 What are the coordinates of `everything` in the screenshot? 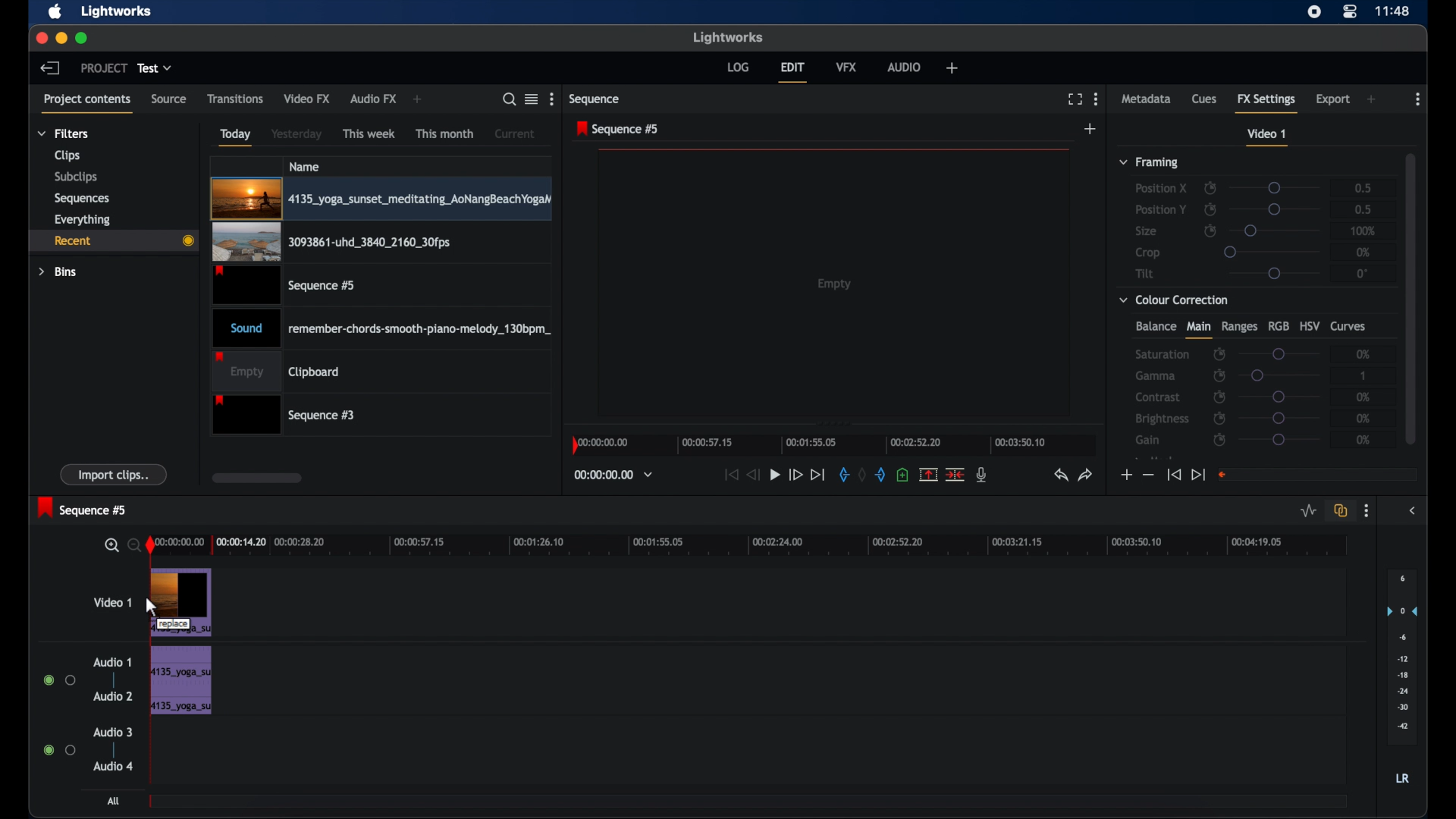 It's located at (83, 219).